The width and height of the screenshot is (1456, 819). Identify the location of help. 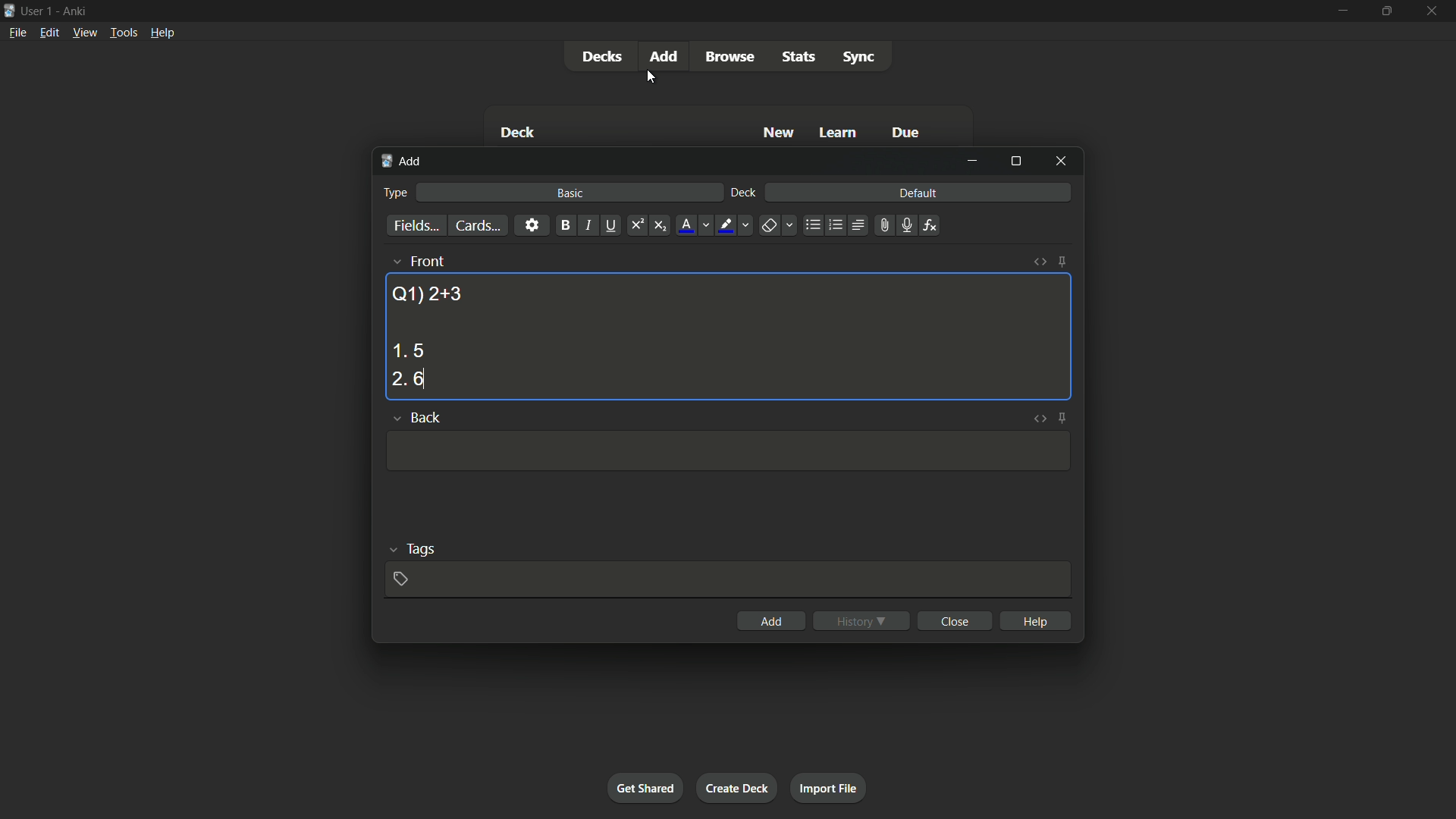
(1037, 620).